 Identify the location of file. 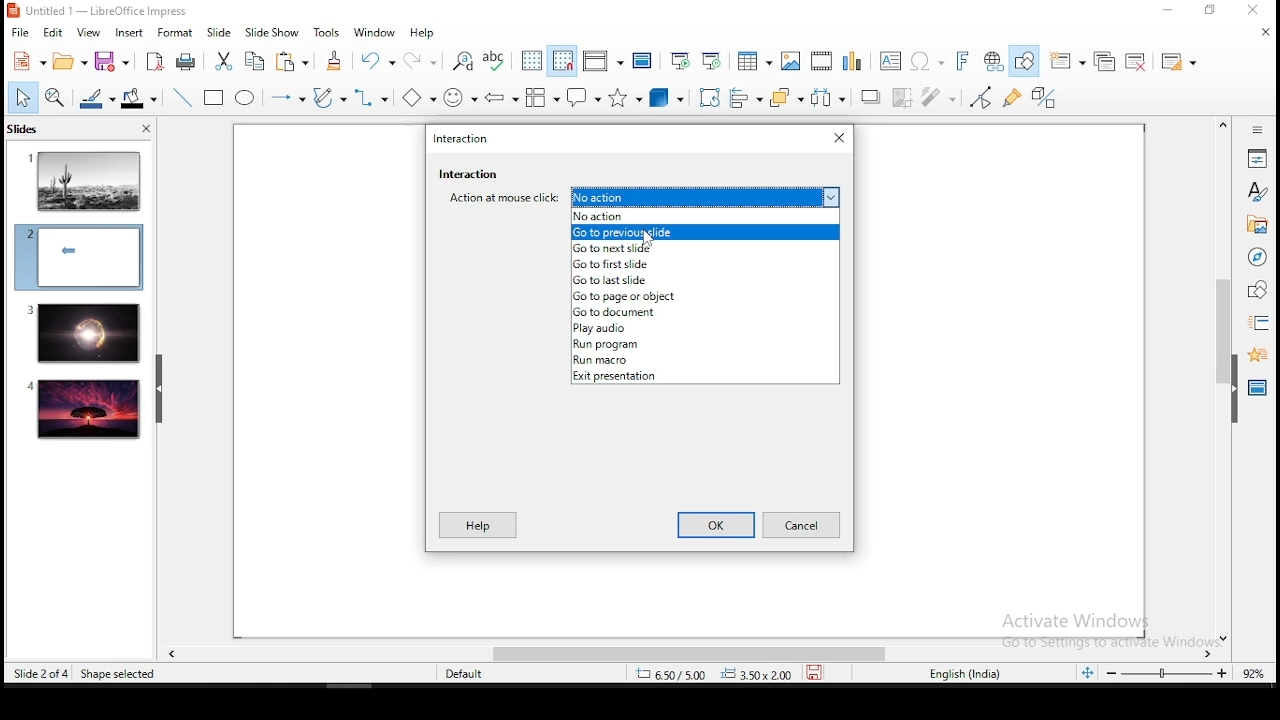
(21, 31).